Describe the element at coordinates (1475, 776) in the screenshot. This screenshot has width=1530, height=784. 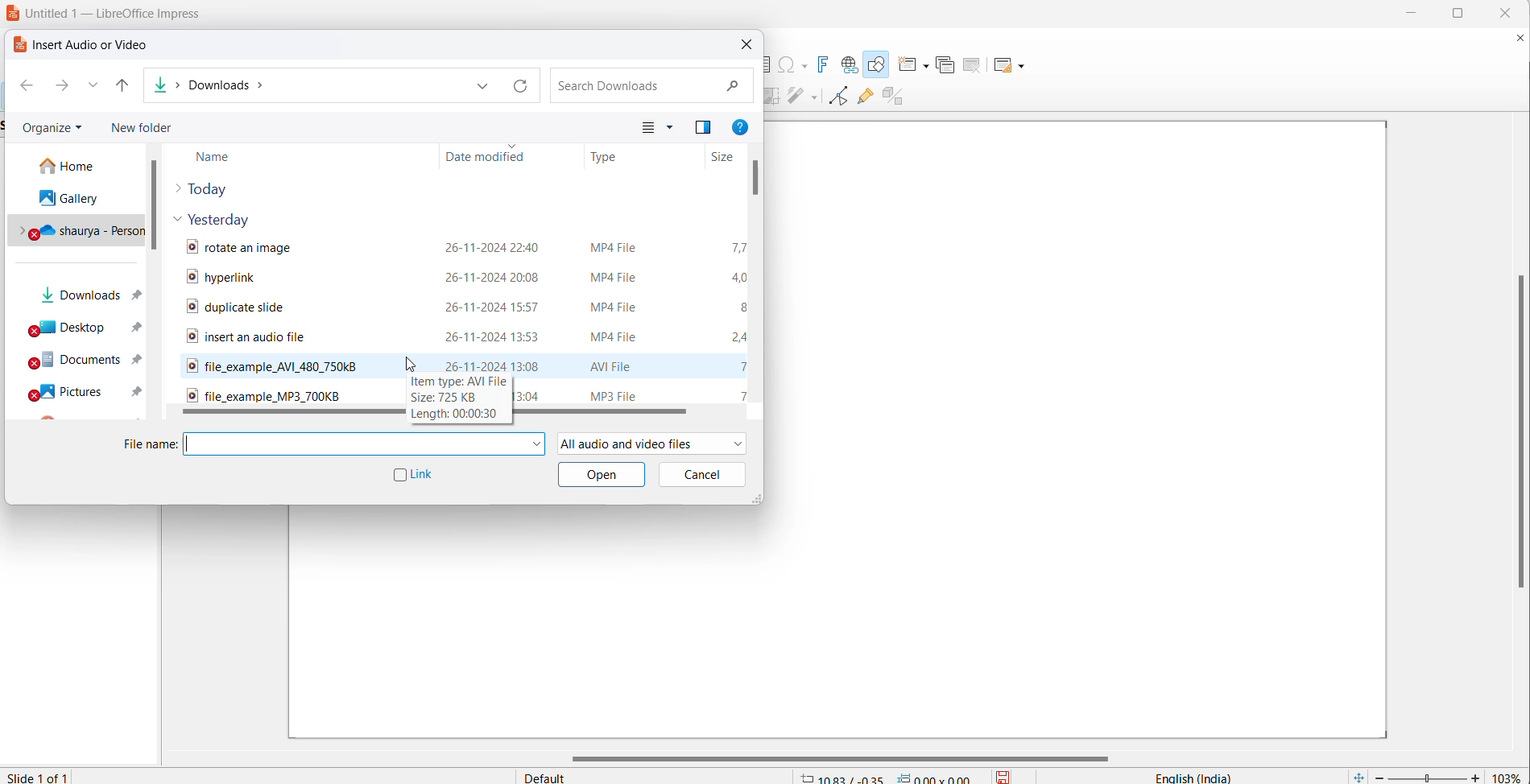
I see `increase zoom` at that location.